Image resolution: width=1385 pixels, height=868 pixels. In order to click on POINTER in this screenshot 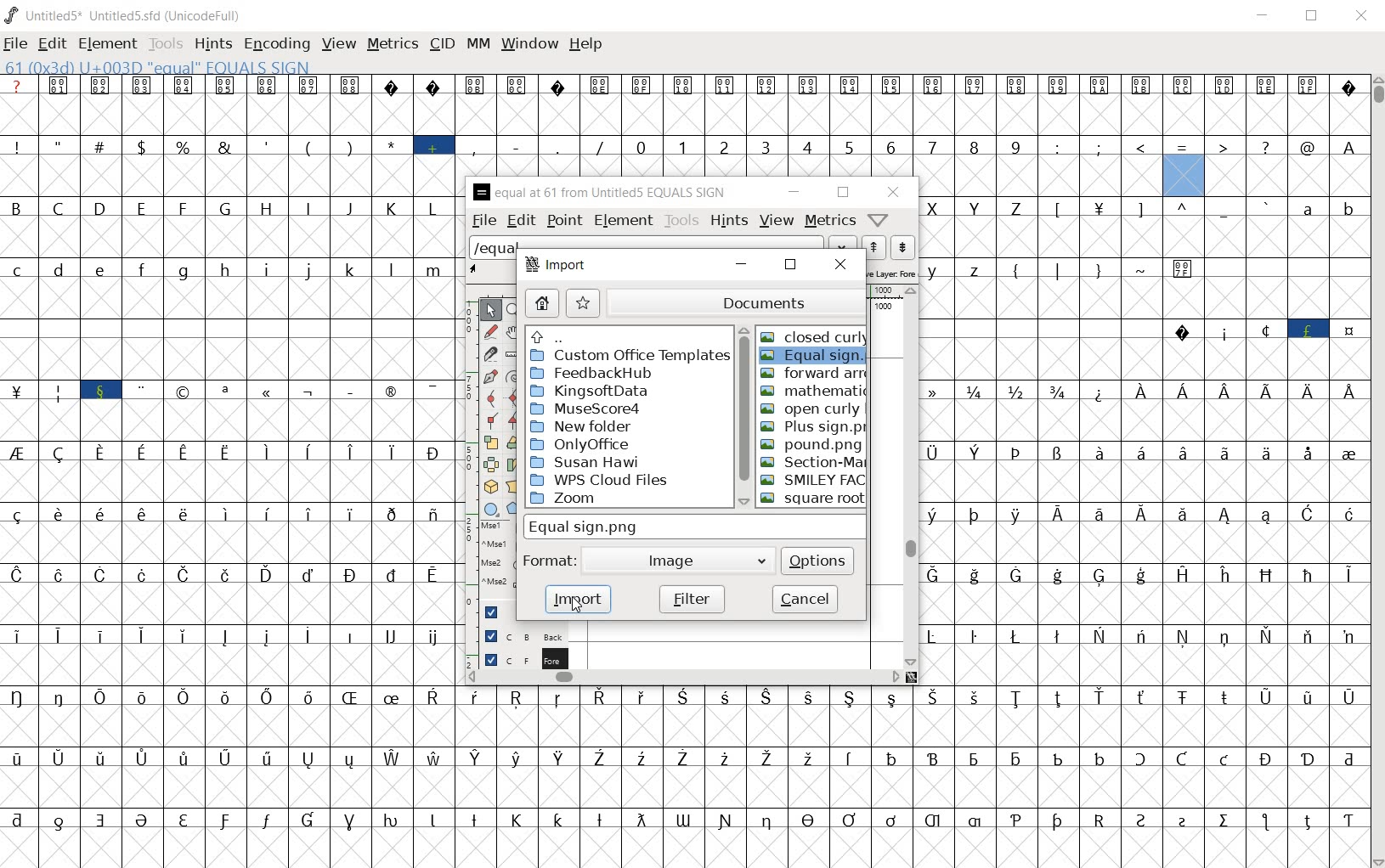, I will do `click(490, 309)`.